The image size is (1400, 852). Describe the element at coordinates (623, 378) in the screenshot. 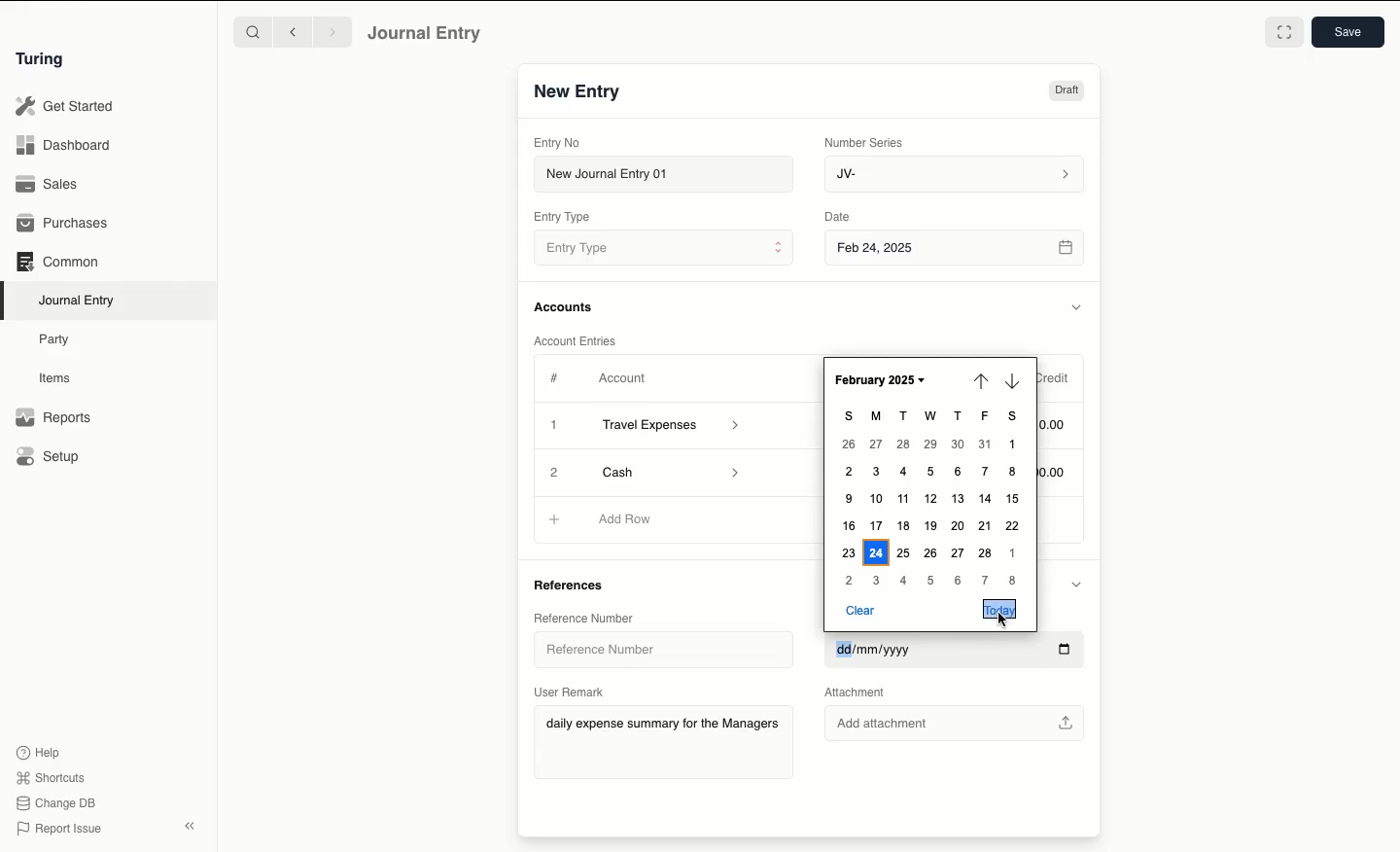

I see `Account` at that location.